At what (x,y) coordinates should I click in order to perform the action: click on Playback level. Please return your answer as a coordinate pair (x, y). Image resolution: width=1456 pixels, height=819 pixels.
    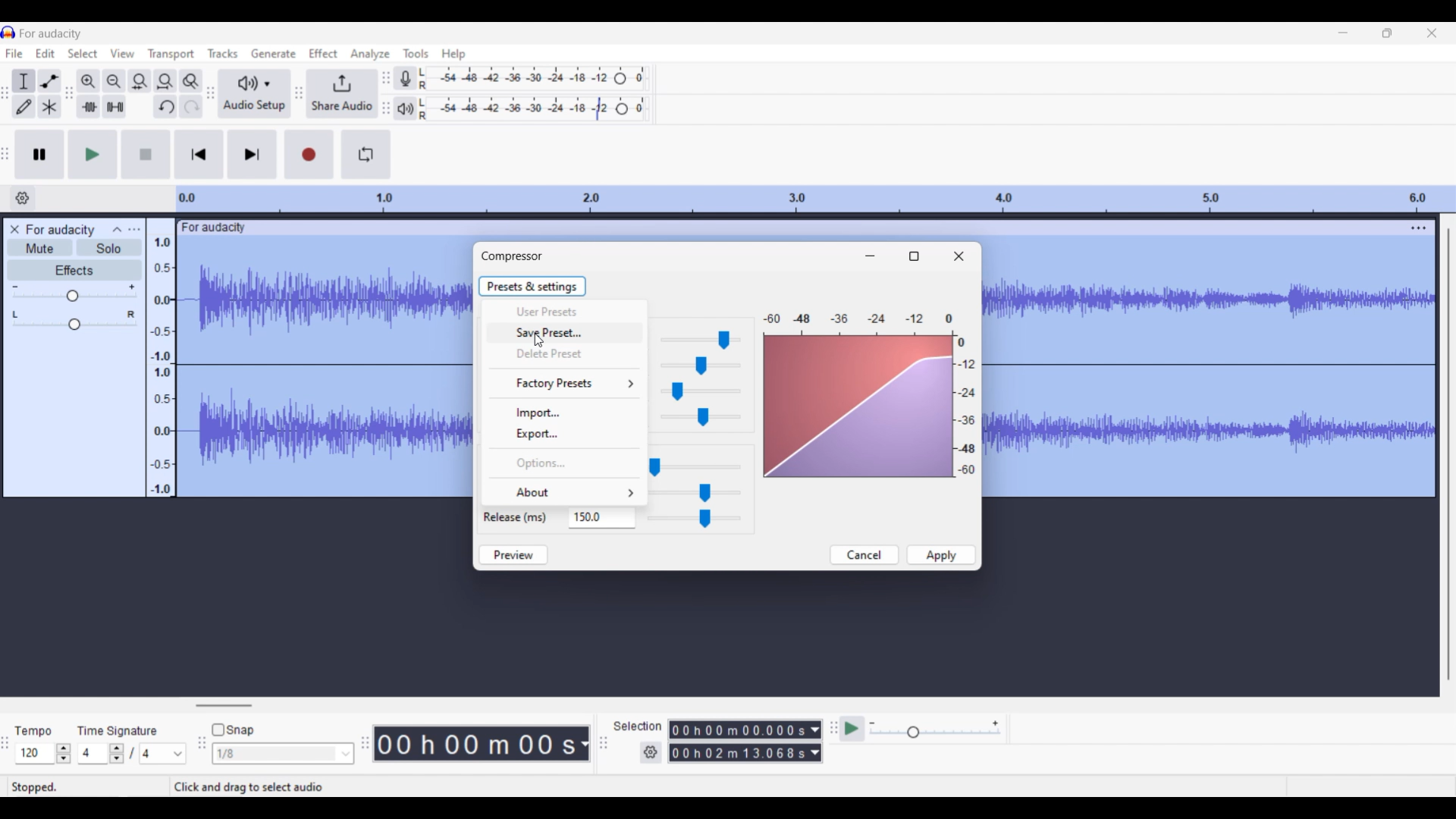
    Looking at the image, I should click on (533, 109).